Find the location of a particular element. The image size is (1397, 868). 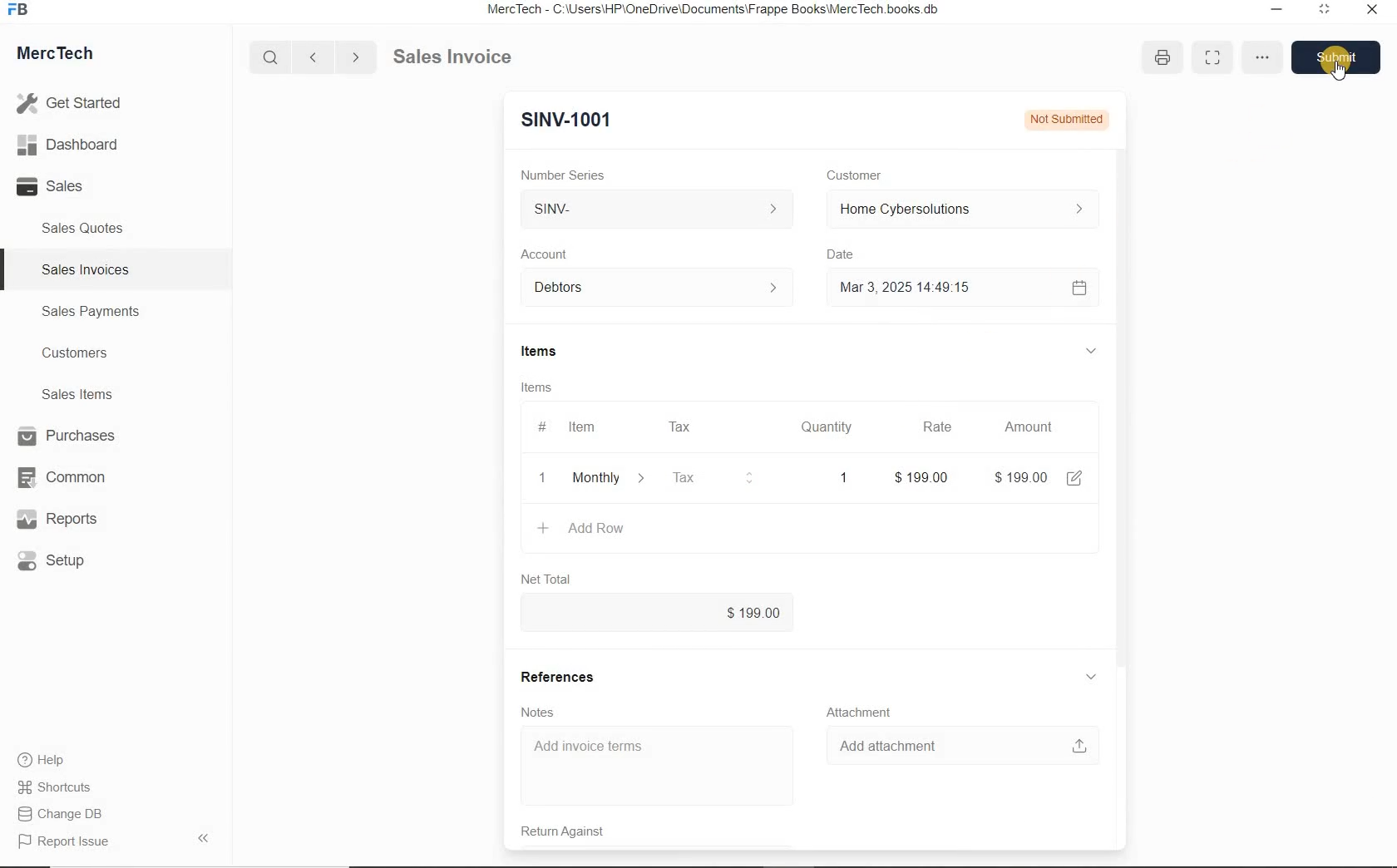

amount: $0.00 is located at coordinates (1022, 476).